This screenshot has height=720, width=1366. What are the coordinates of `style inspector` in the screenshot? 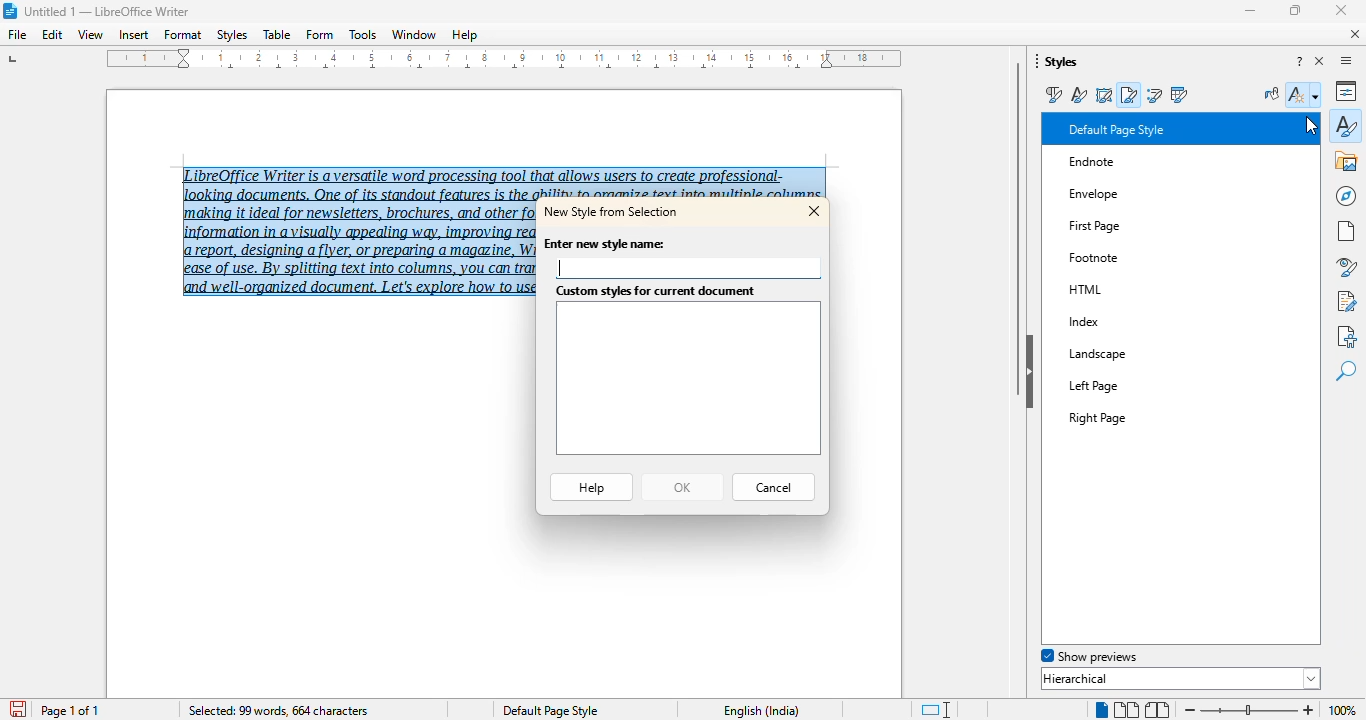 It's located at (1346, 268).